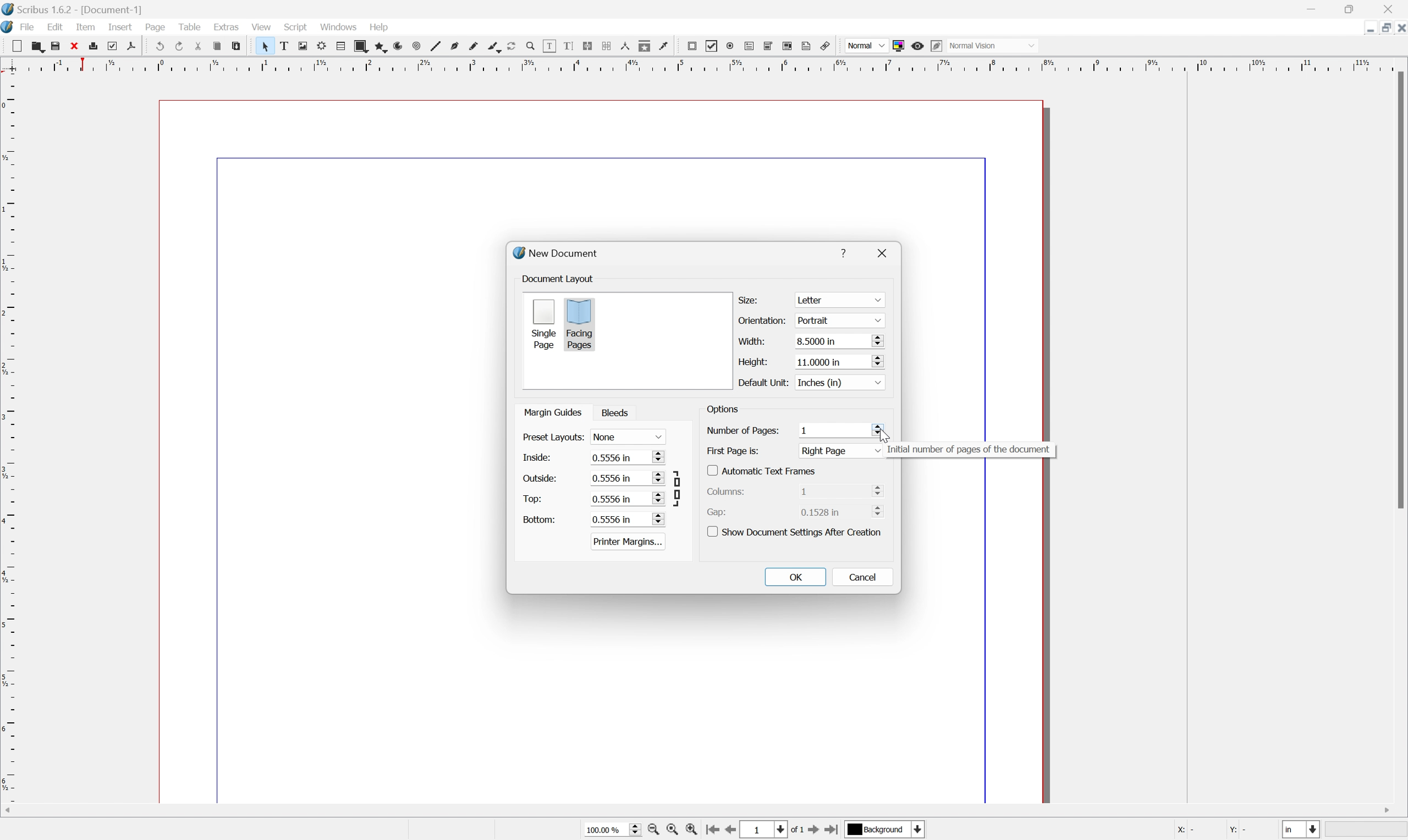 The height and width of the screenshot is (840, 1408). What do you see at coordinates (665, 46) in the screenshot?
I see `Eye dropper` at bounding box center [665, 46].